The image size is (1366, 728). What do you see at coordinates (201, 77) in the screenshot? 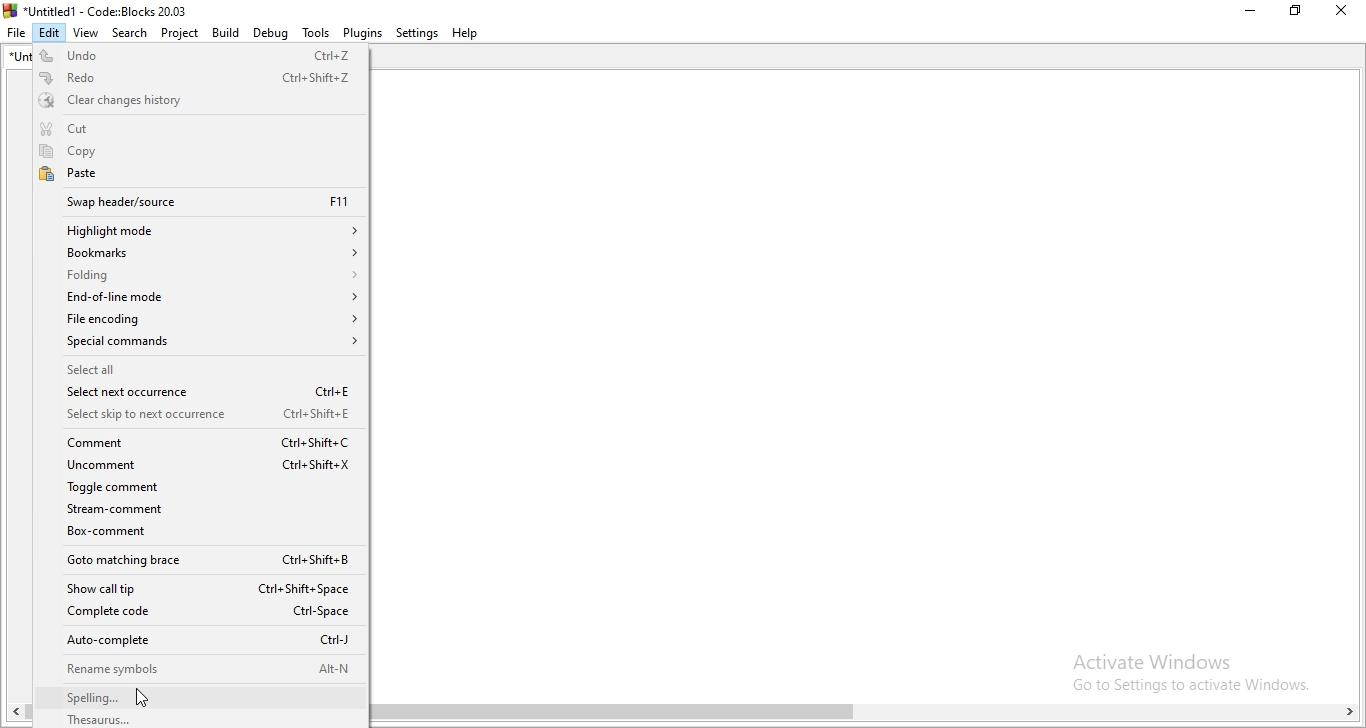
I see `Redo` at bounding box center [201, 77].